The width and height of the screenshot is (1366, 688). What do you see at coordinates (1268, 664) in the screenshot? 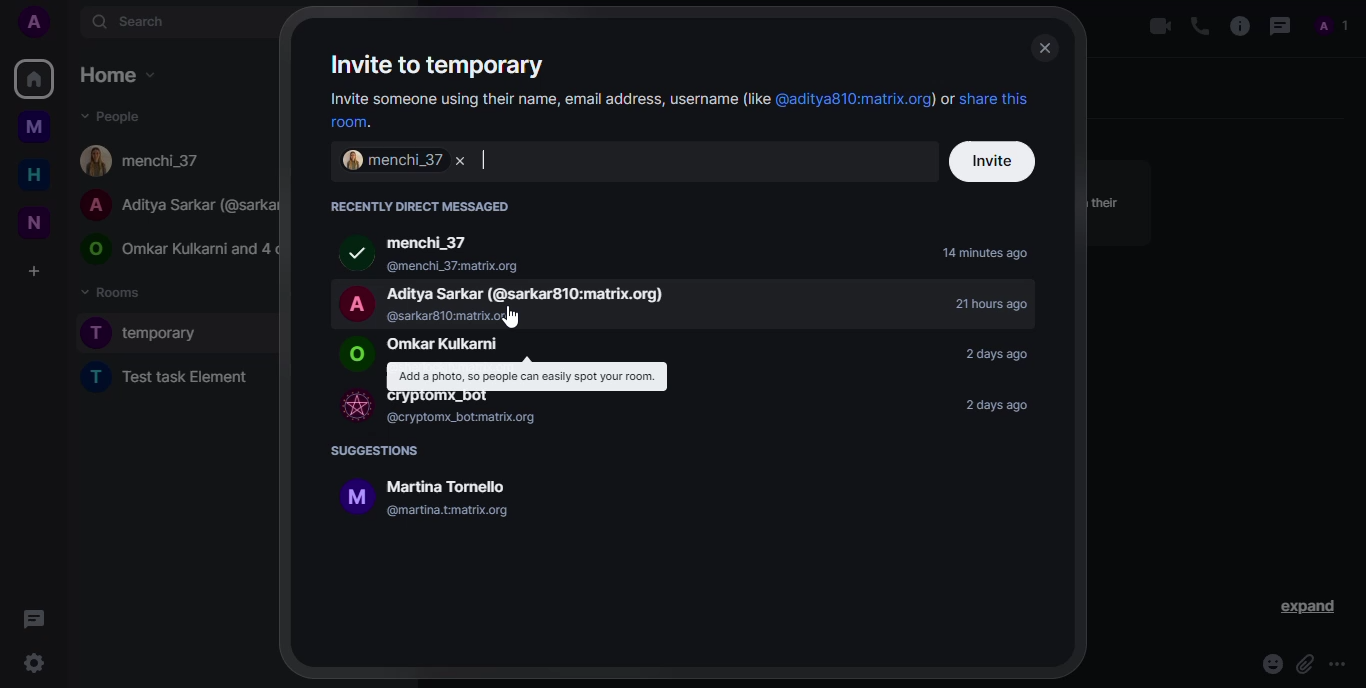
I see `emoji` at bounding box center [1268, 664].